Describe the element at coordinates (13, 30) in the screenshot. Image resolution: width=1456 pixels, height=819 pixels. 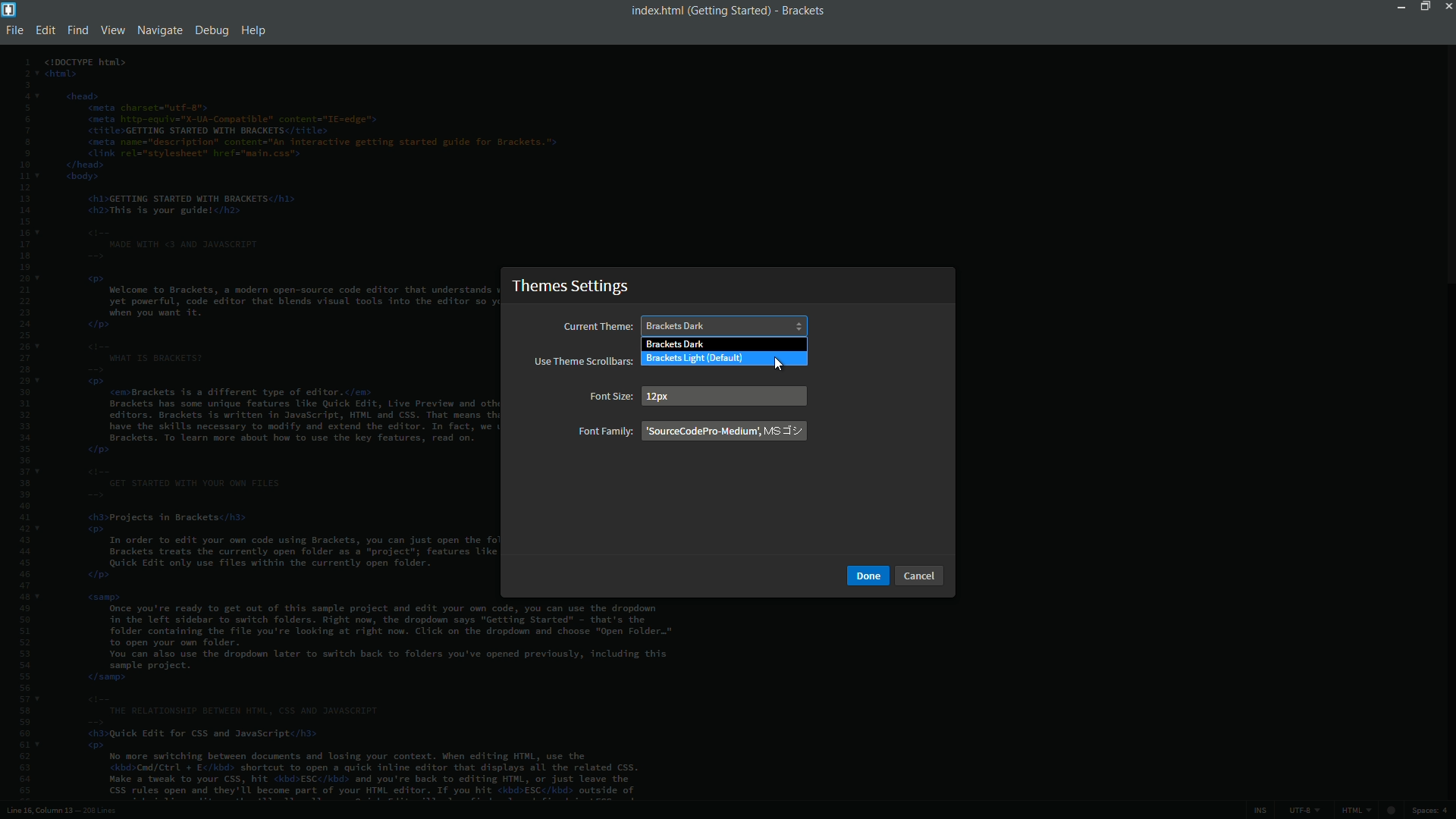
I see `file menu` at that location.